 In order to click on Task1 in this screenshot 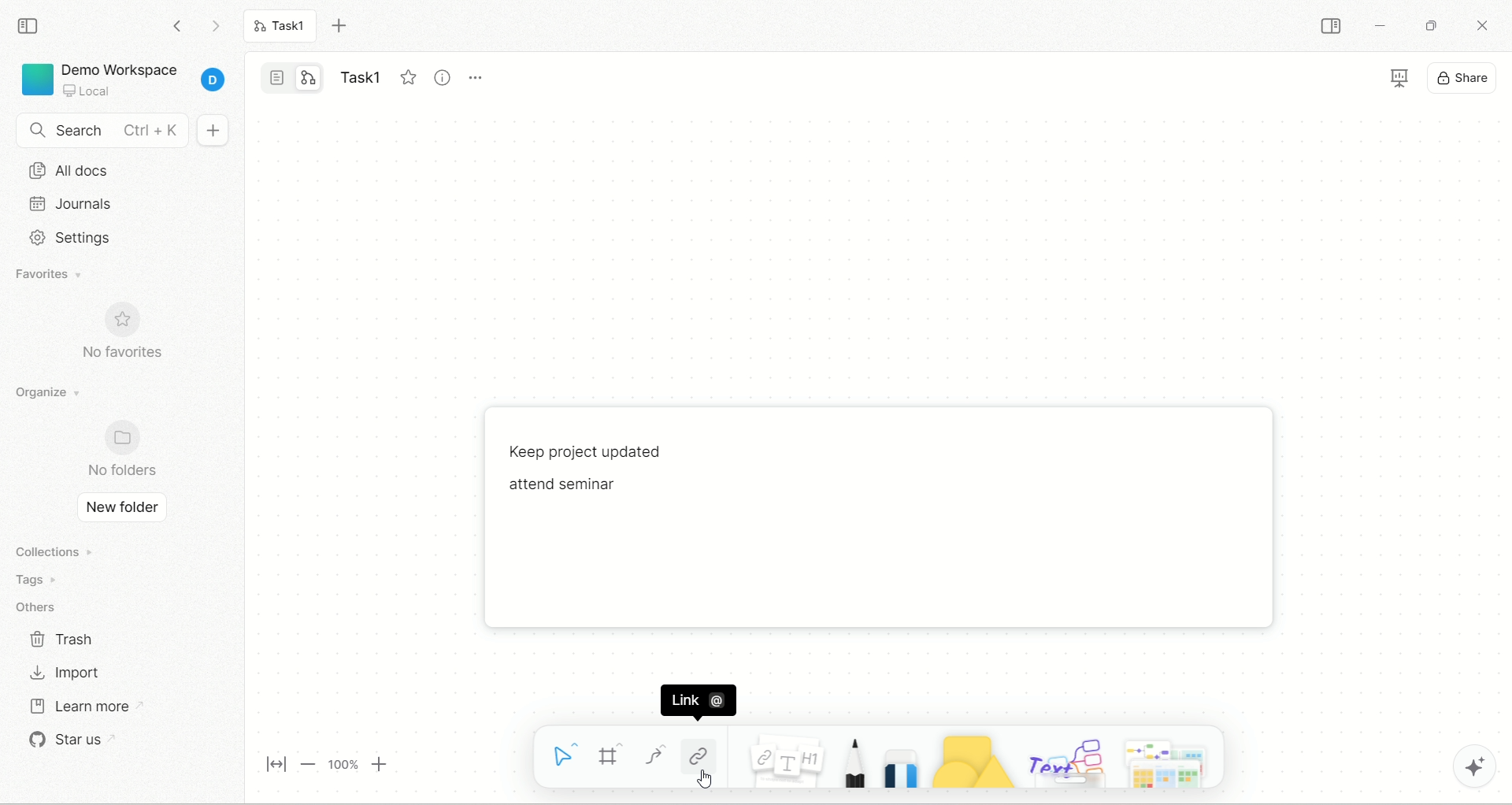, I will do `click(285, 28)`.